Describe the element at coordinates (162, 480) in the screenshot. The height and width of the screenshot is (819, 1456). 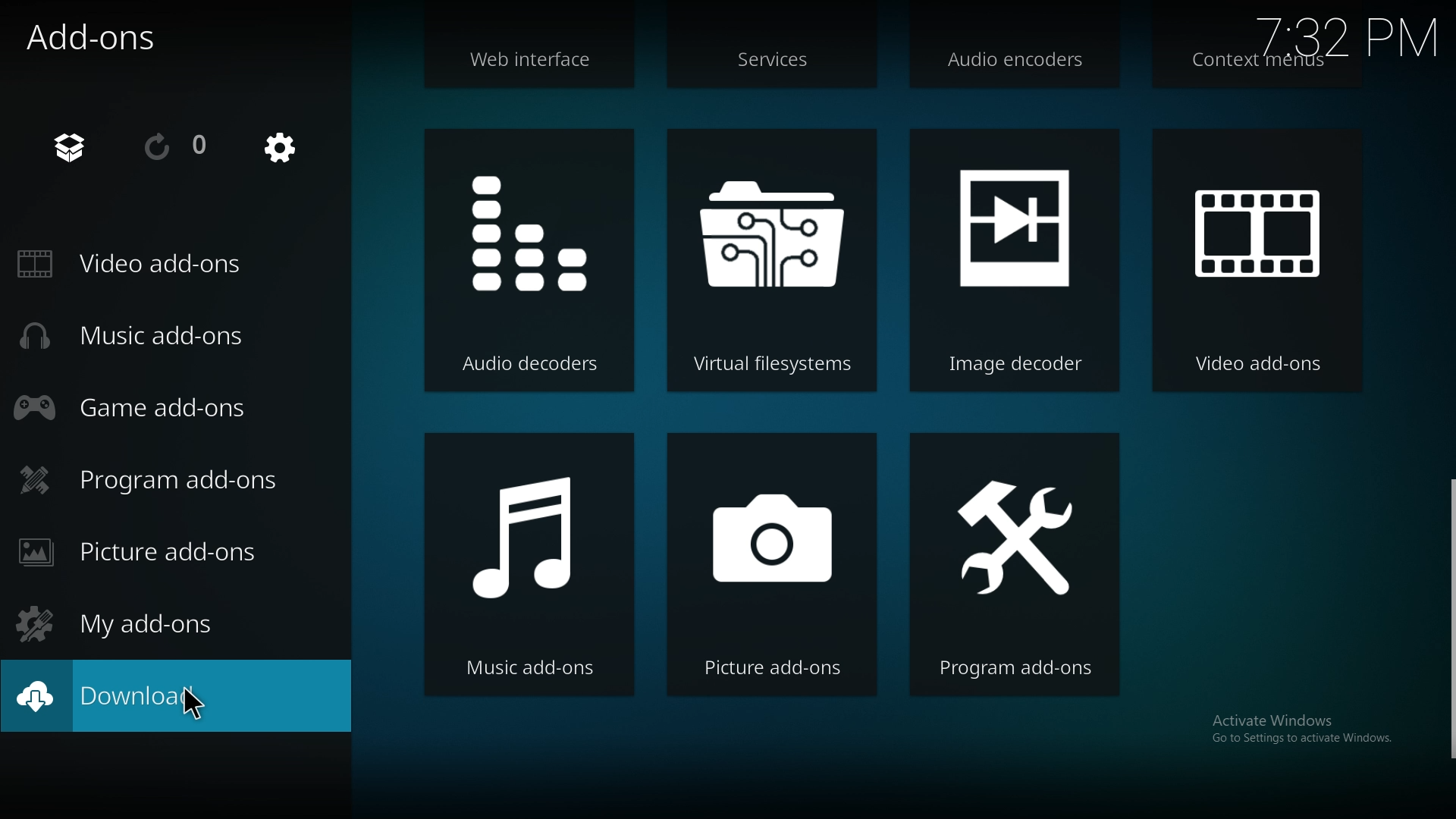
I see `program add ons` at that location.